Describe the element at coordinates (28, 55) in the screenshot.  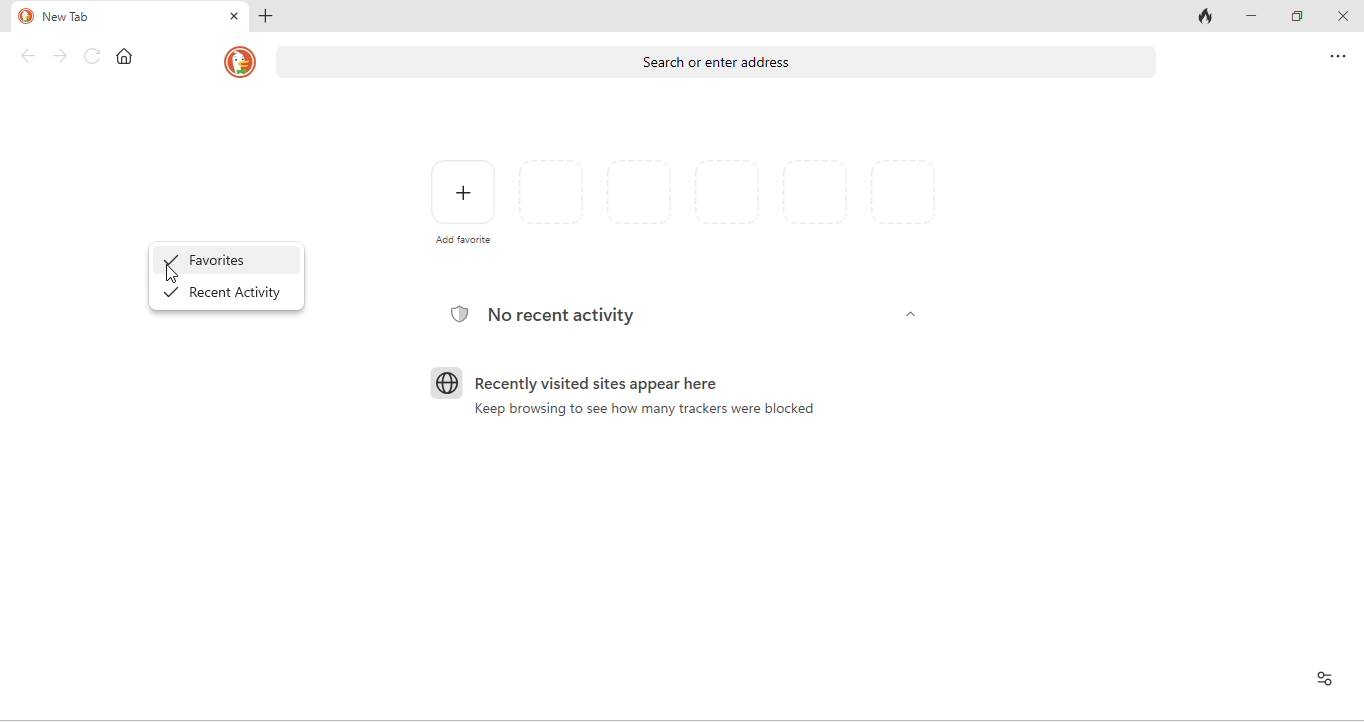
I see `back` at that location.